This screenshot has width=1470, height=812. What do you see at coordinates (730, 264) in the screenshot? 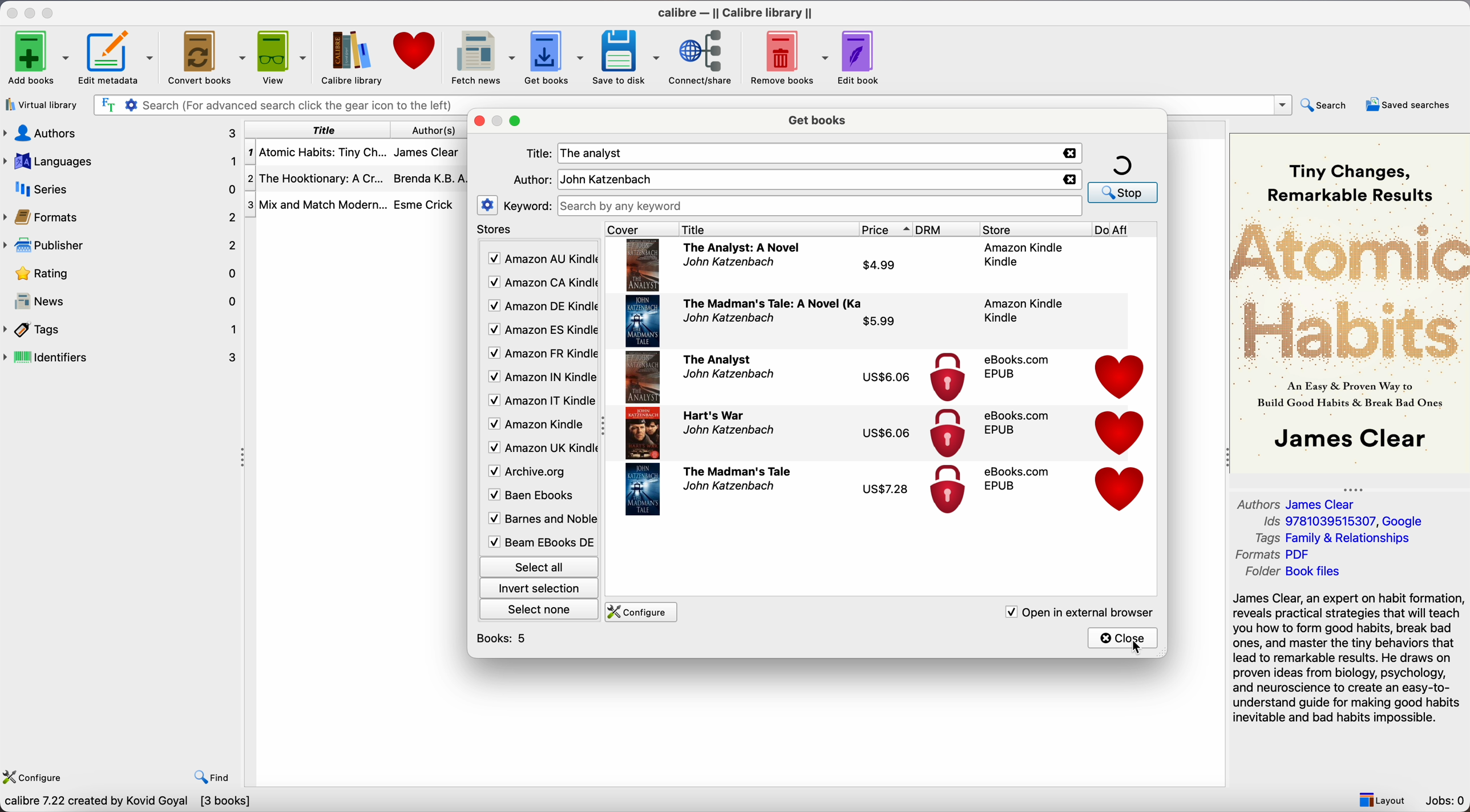
I see `John Katzenbach` at bounding box center [730, 264].